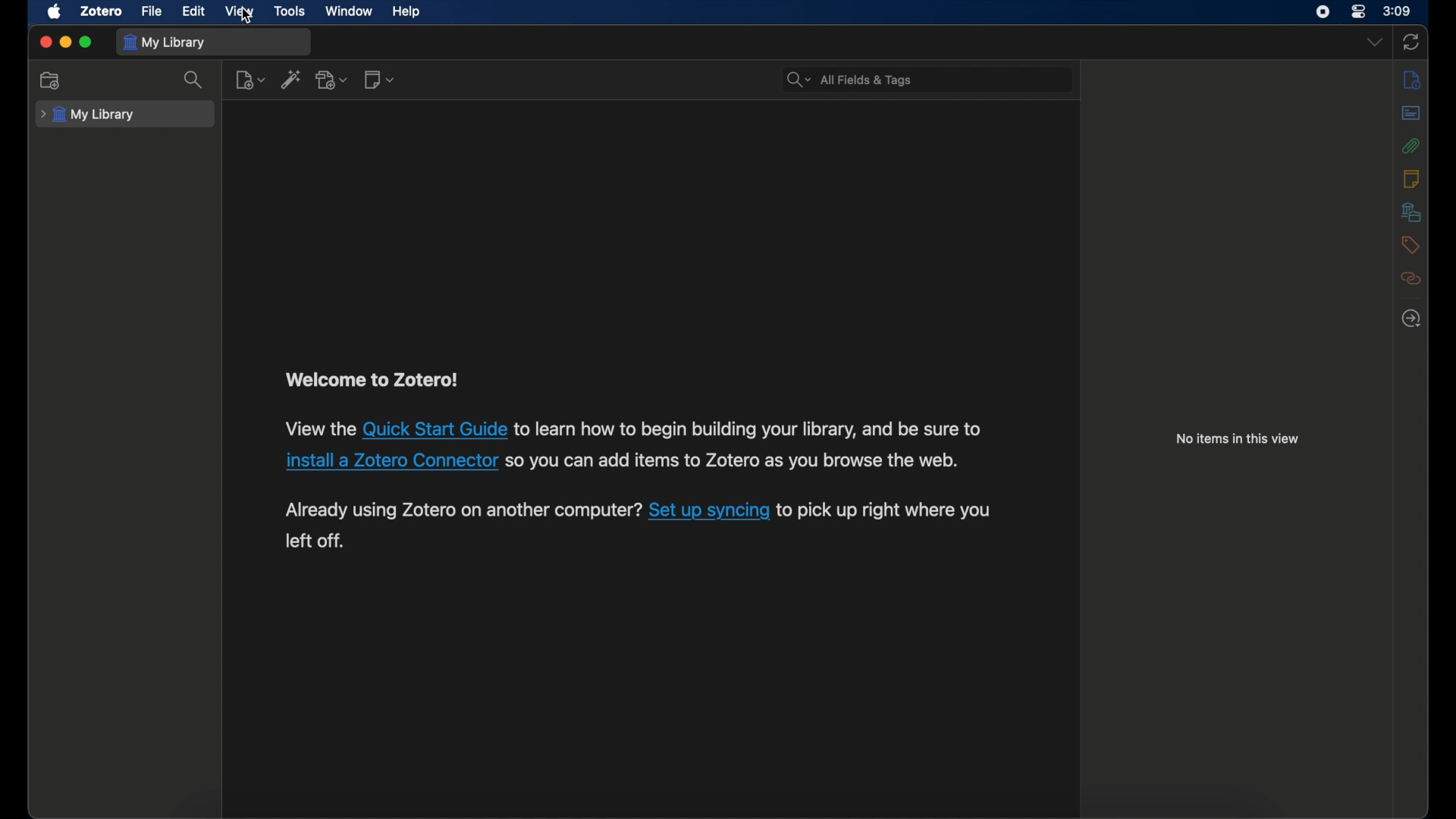 The height and width of the screenshot is (819, 1456). Describe the element at coordinates (290, 78) in the screenshot. I see `add item by identifier` at that location.